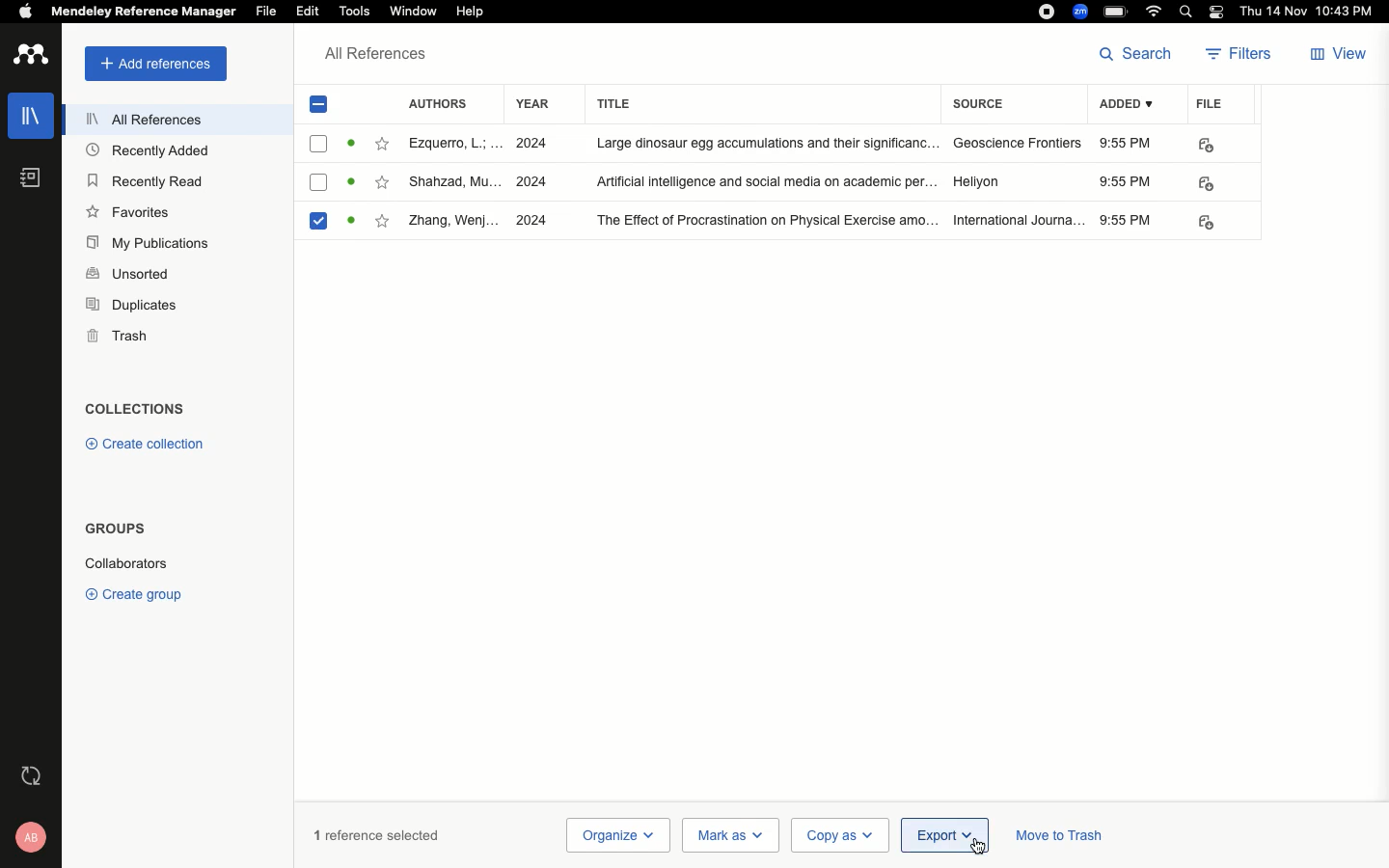 This screenshot has height=868, width=1389. Describe the element at coordinates (142, 444) in the screenshot. I see `Create collection` at that location.